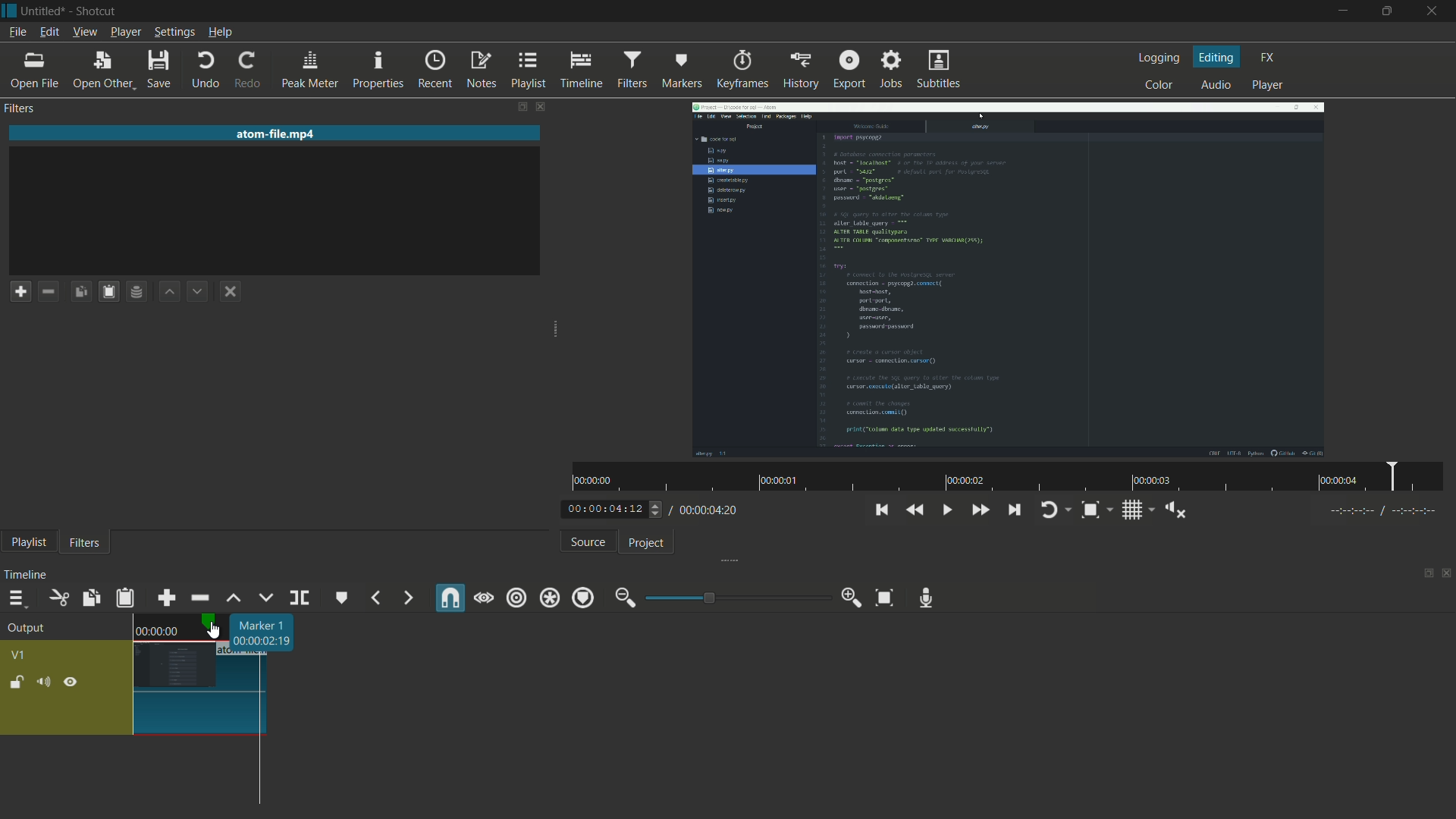  I want to click on record audio, so click(924, 598).